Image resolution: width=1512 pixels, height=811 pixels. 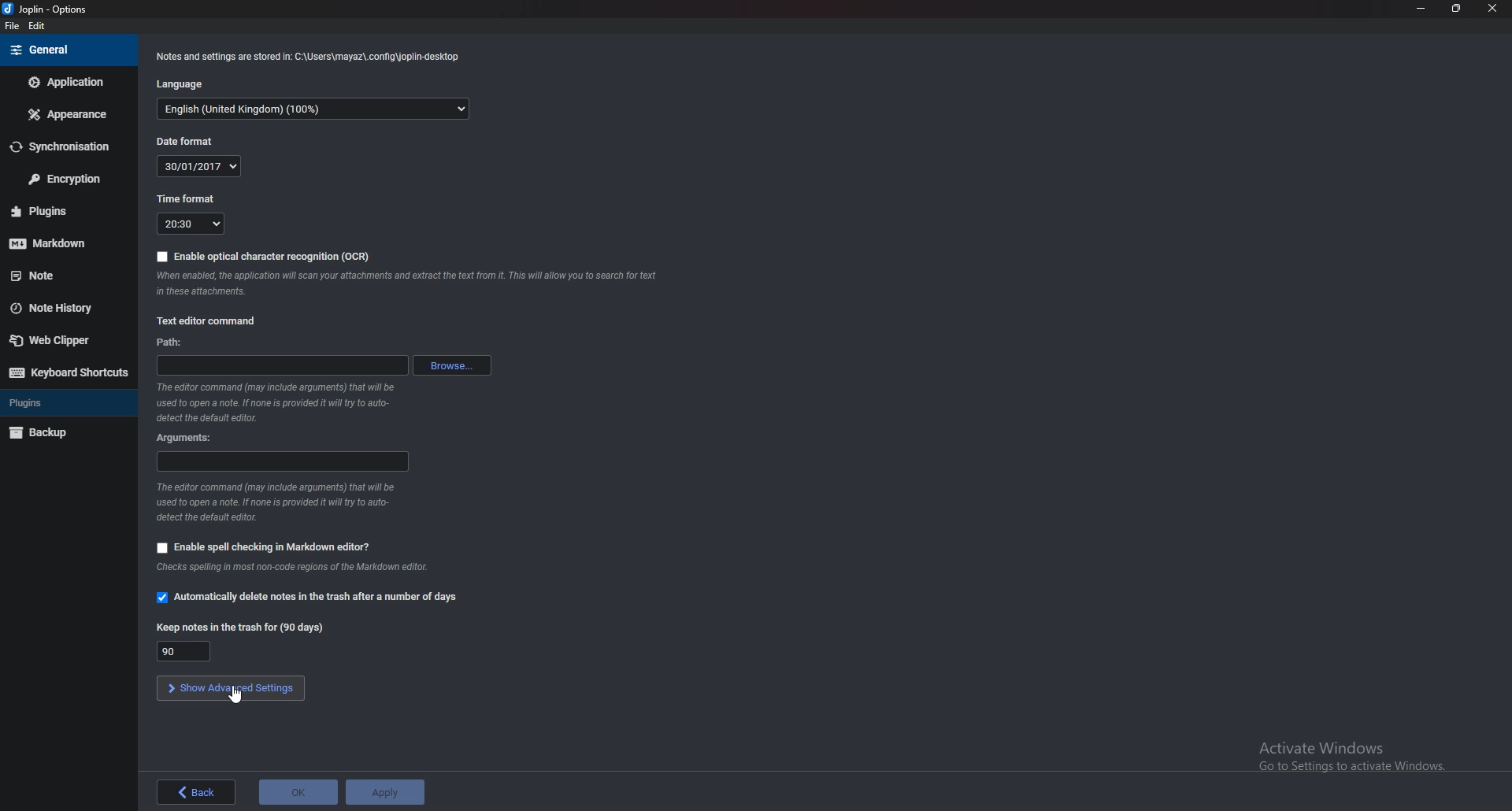 I want to click on Info, so click(x=279, y=501).